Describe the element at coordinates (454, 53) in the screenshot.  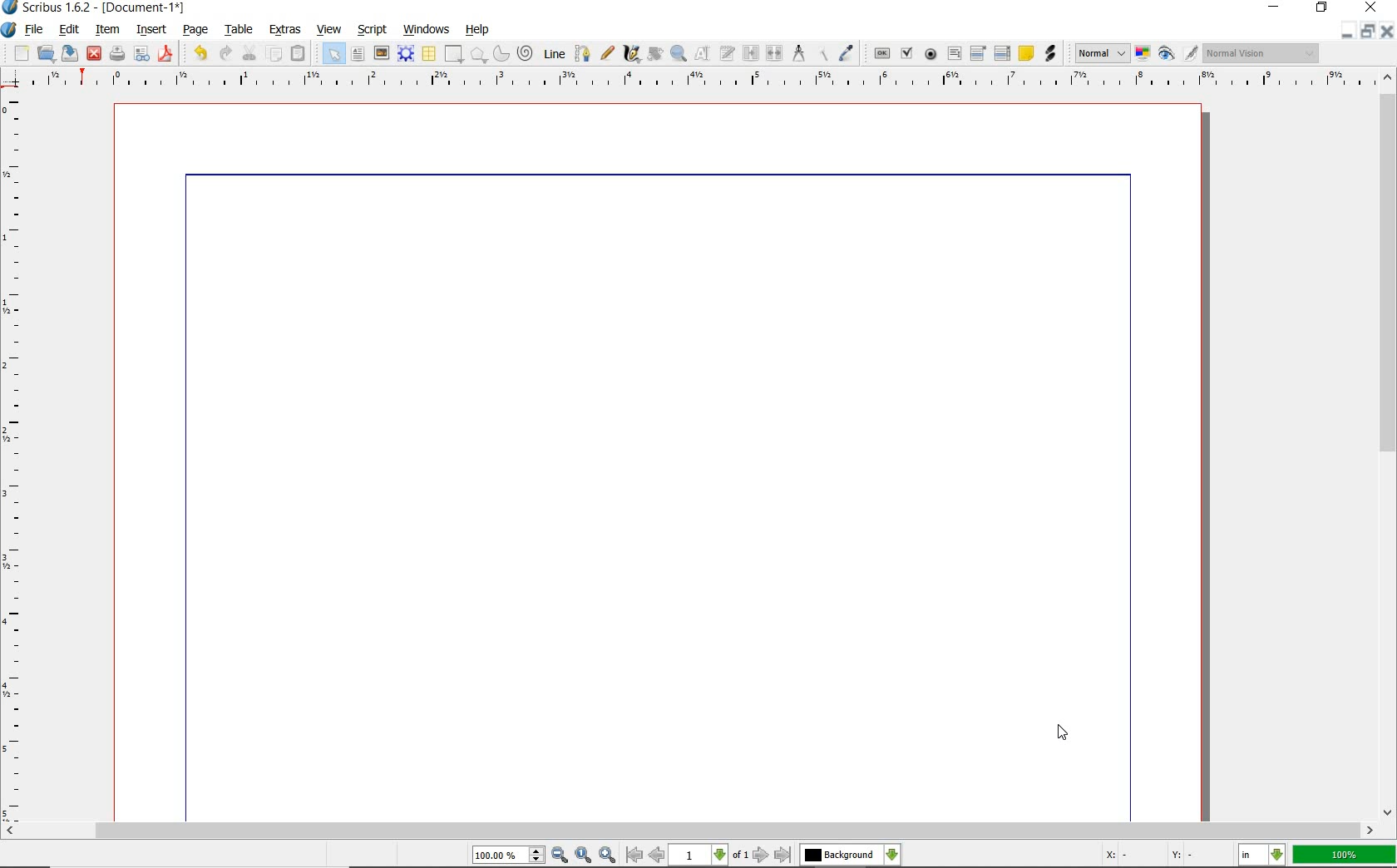
I see `shape` at that location.